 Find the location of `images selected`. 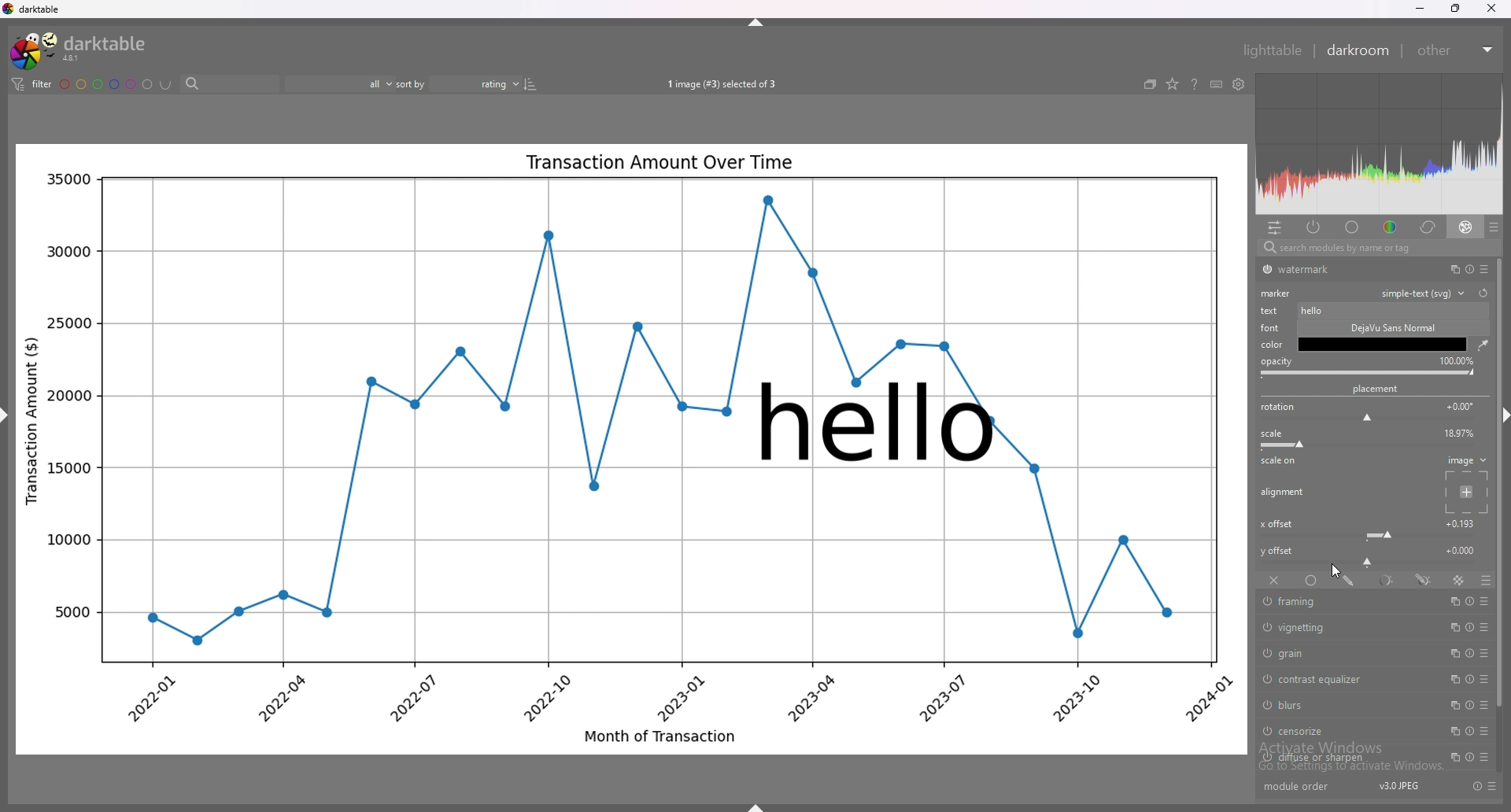

images selected is located at coordinates (719, 84).